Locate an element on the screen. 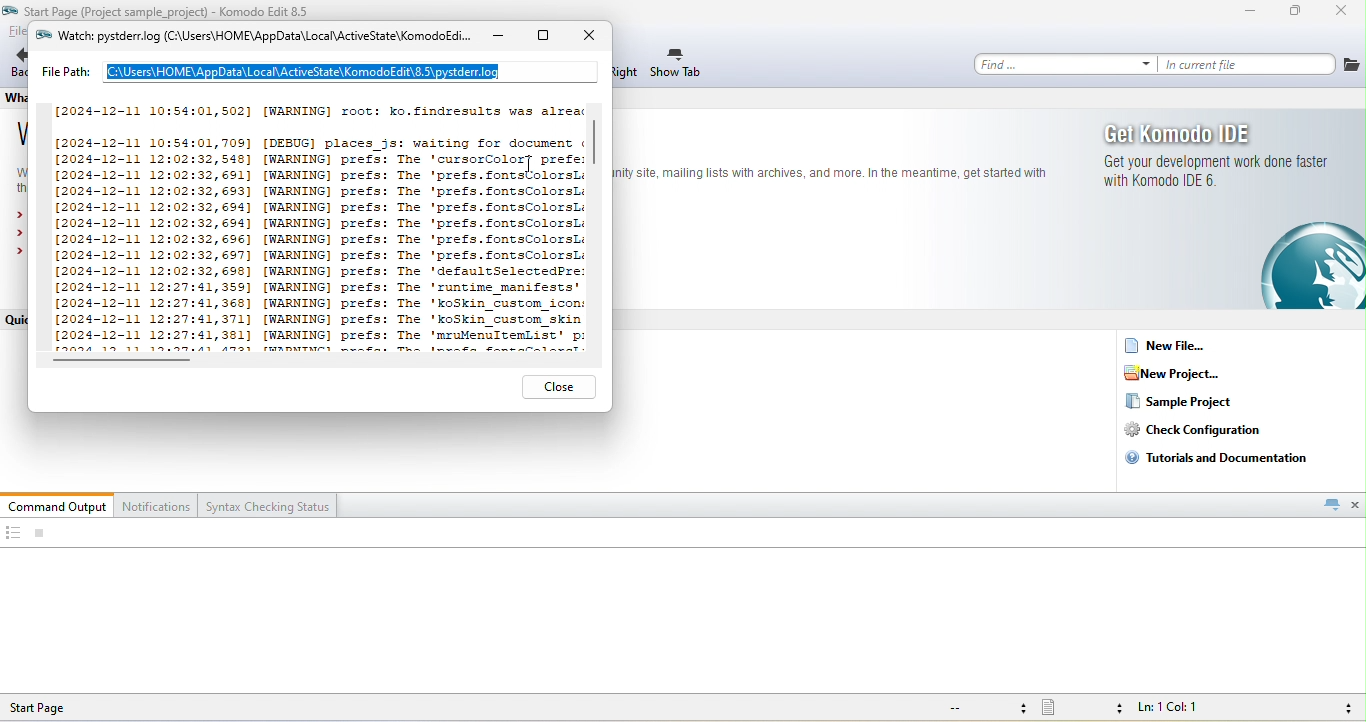 The height and width of the screenshot is (722, 1366). globe icon is located at coordinates (1298, 266).